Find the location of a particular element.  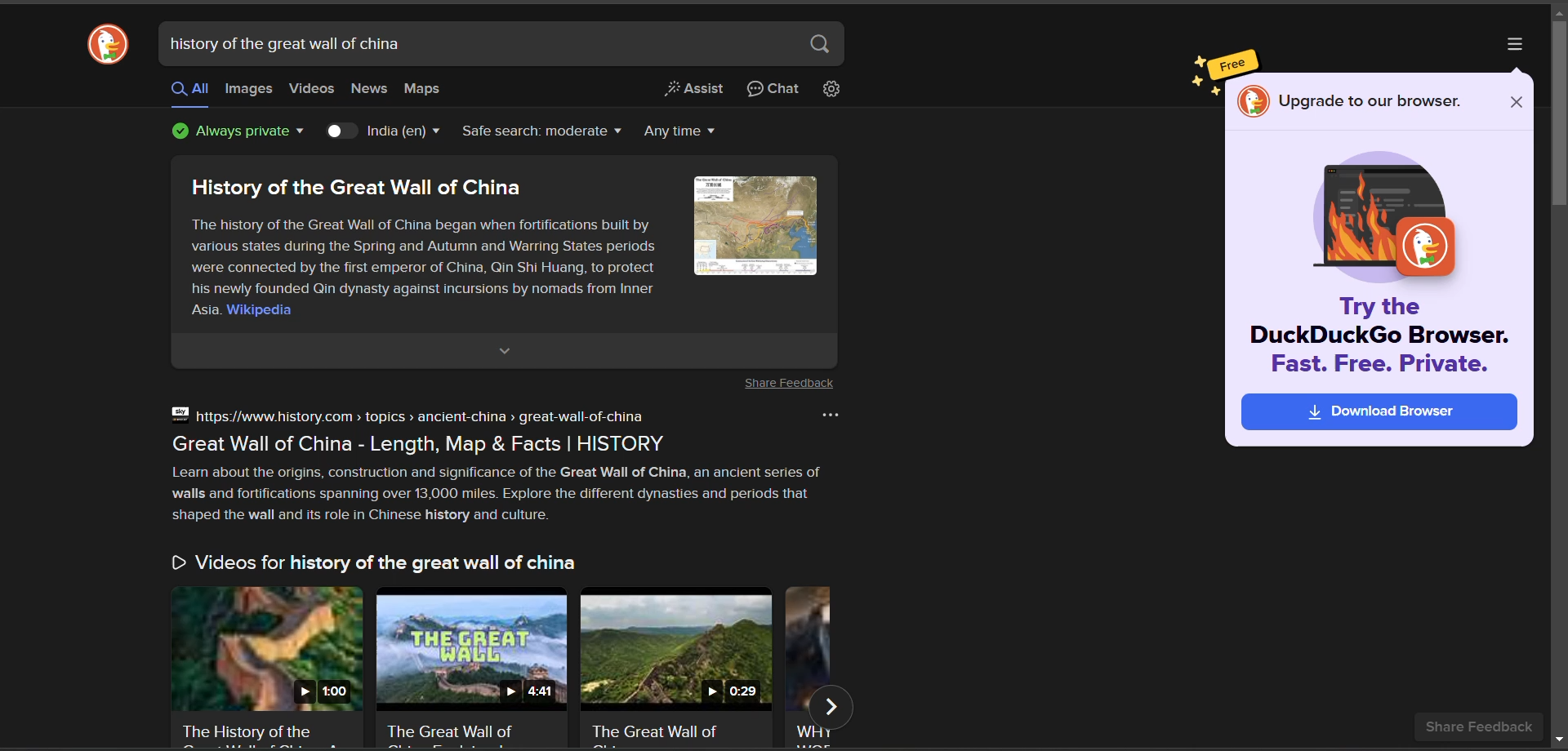

close is located at coordinates (1518, 102).